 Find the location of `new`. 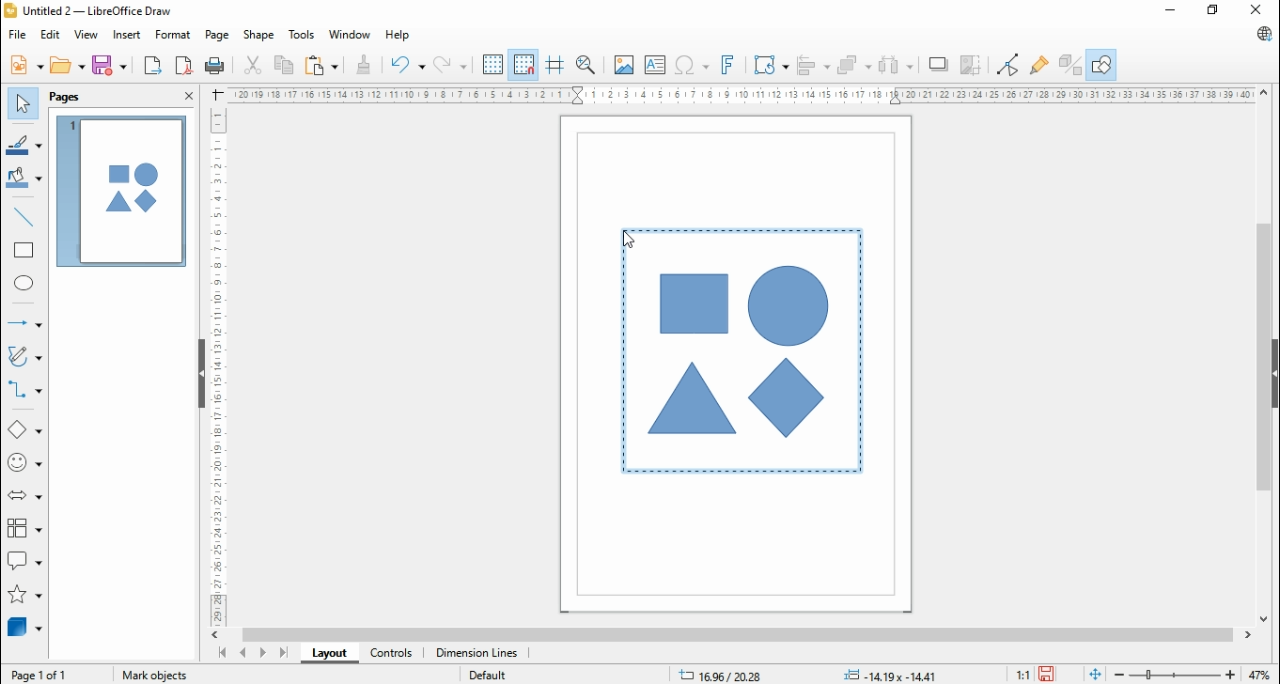

new is located at coordinates (27, 65).